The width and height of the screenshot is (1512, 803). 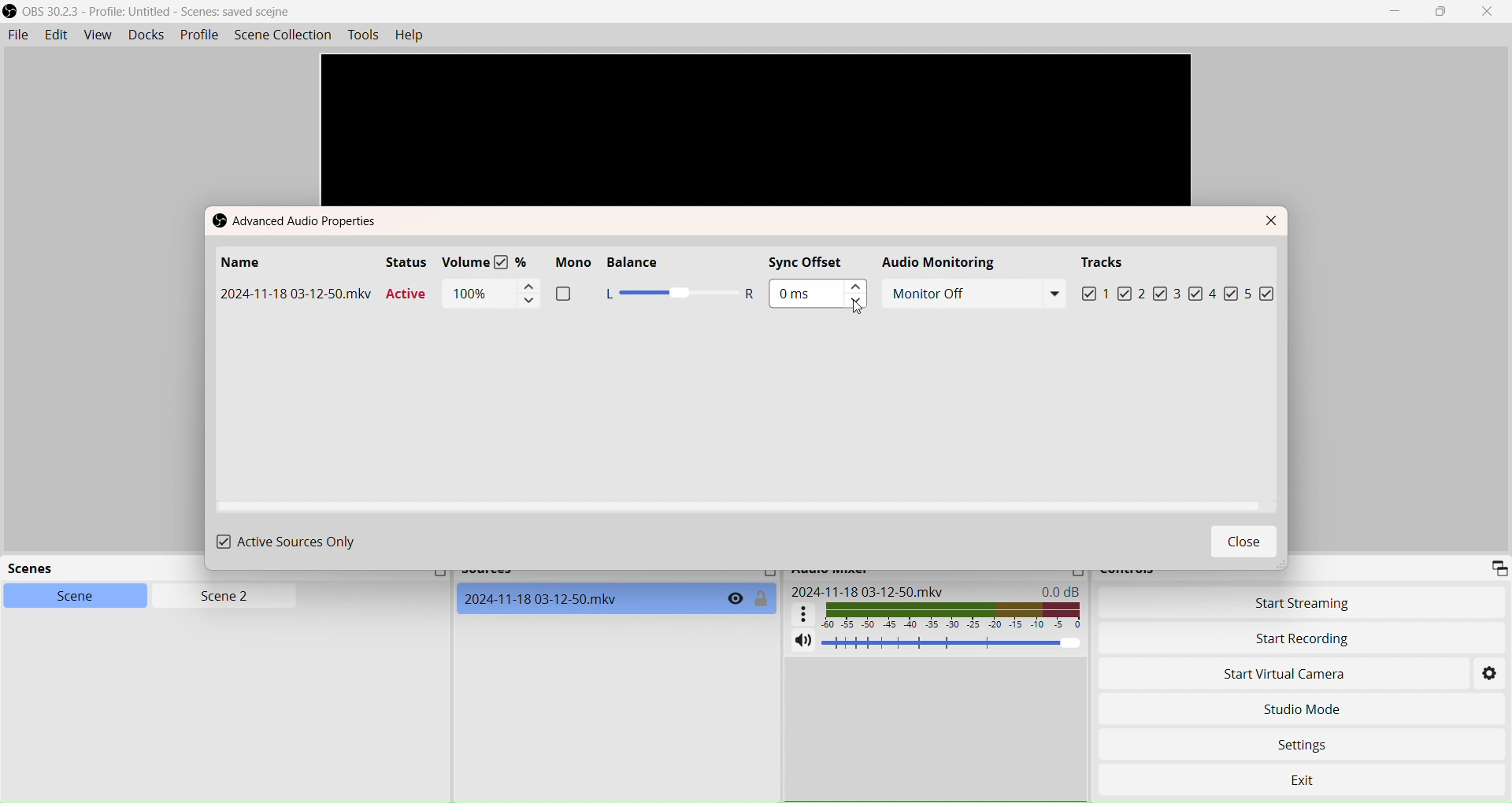 I want to click on SceneCollection, so click(x=285, y=34).